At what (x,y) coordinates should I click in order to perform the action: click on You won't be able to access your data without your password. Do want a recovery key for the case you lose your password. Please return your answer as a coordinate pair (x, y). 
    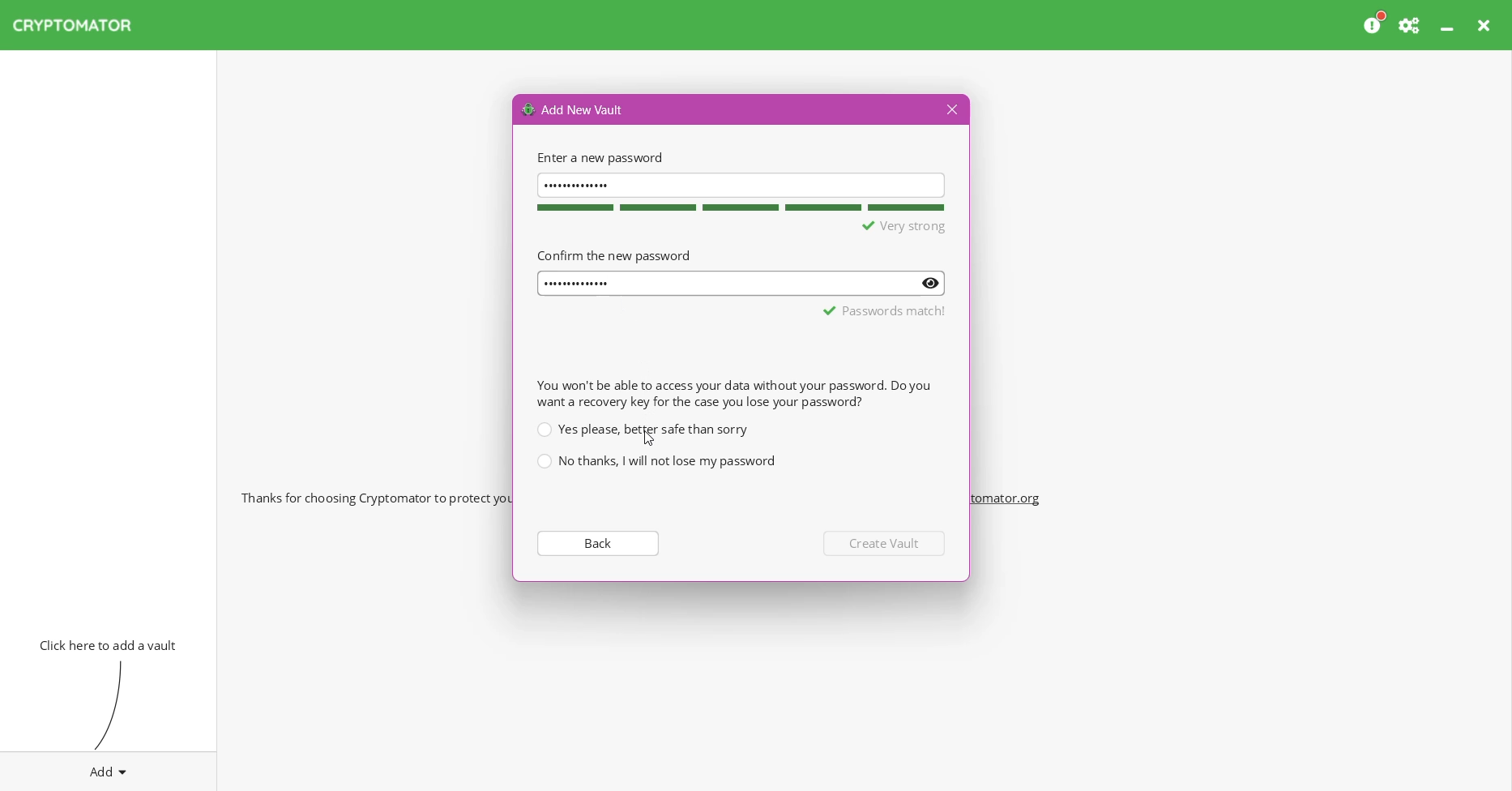
    Looking at the image, I should click on (733, 393).